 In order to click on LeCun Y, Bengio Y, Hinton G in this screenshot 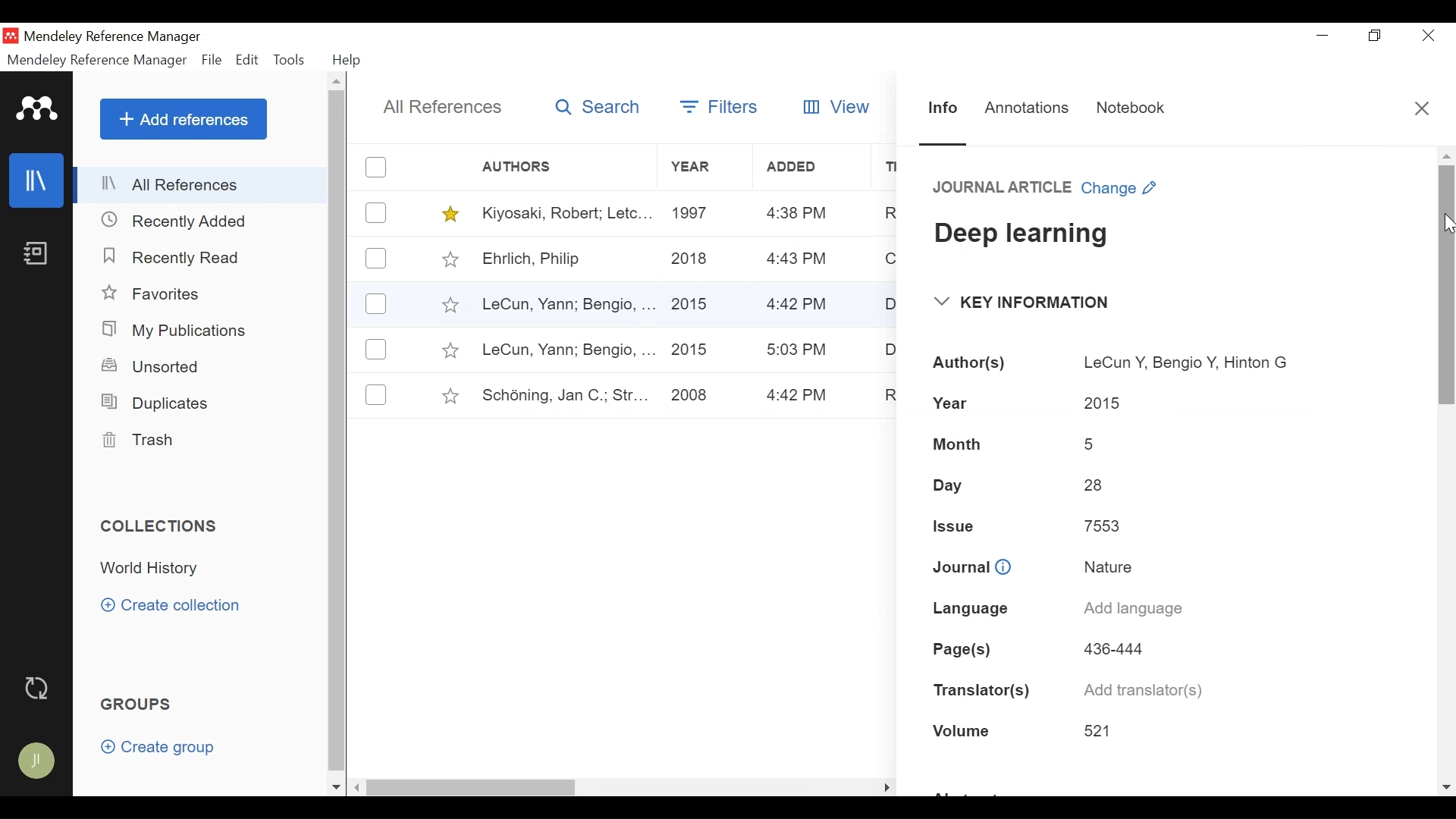, I will do `click(1186, 356)`.